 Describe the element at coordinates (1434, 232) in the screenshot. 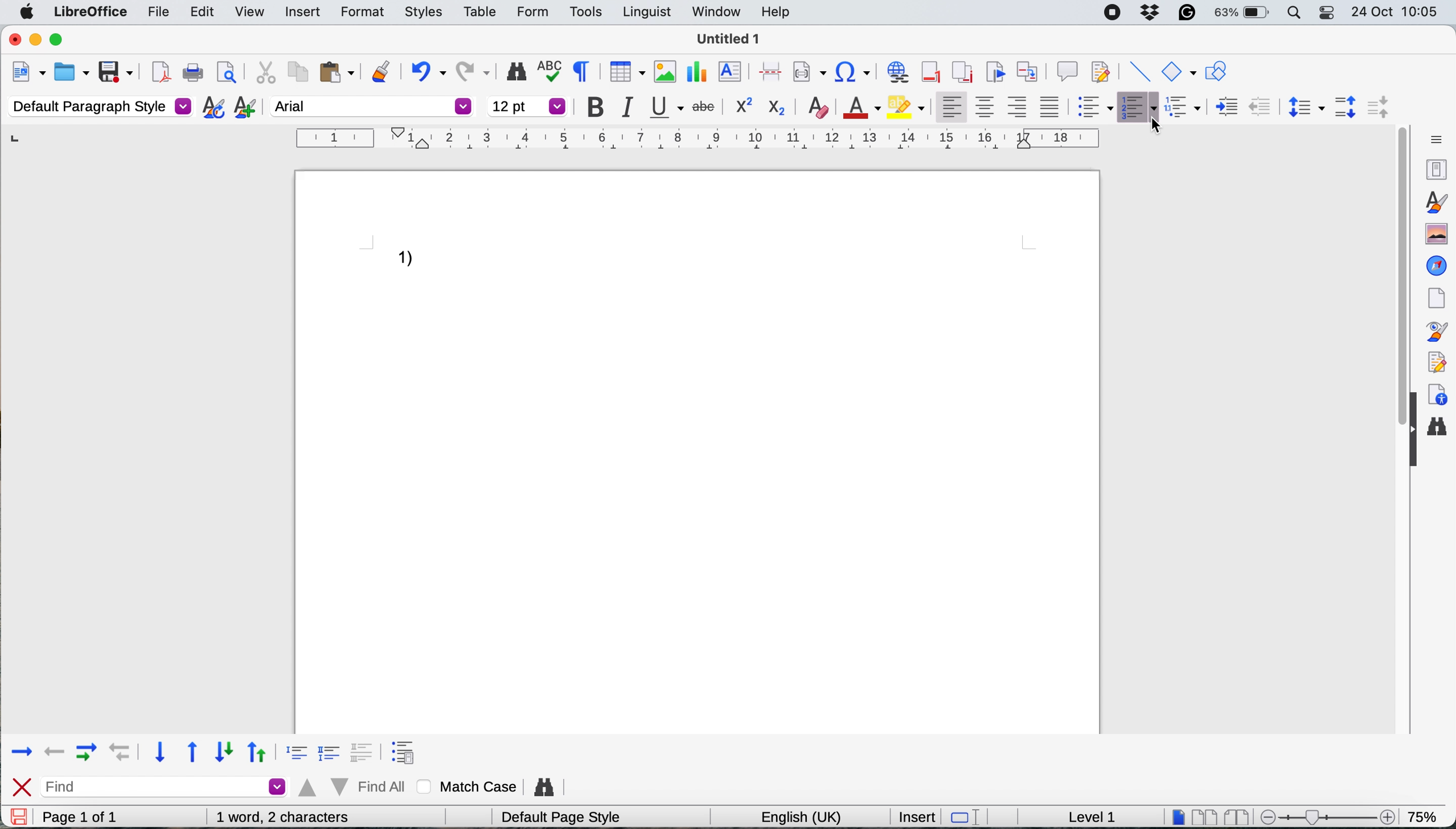

I see `gallery` at that location.